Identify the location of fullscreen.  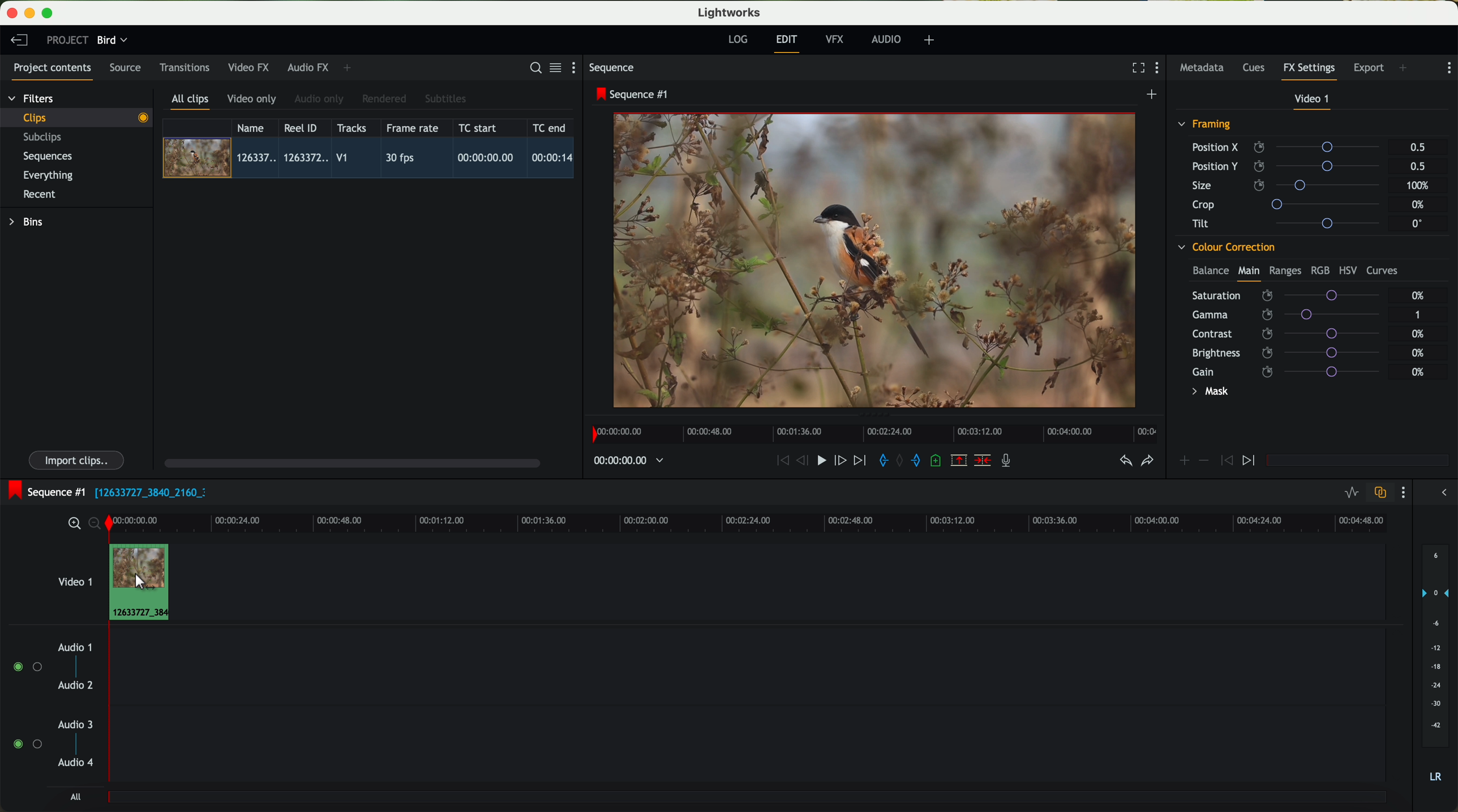
(1136, 67).